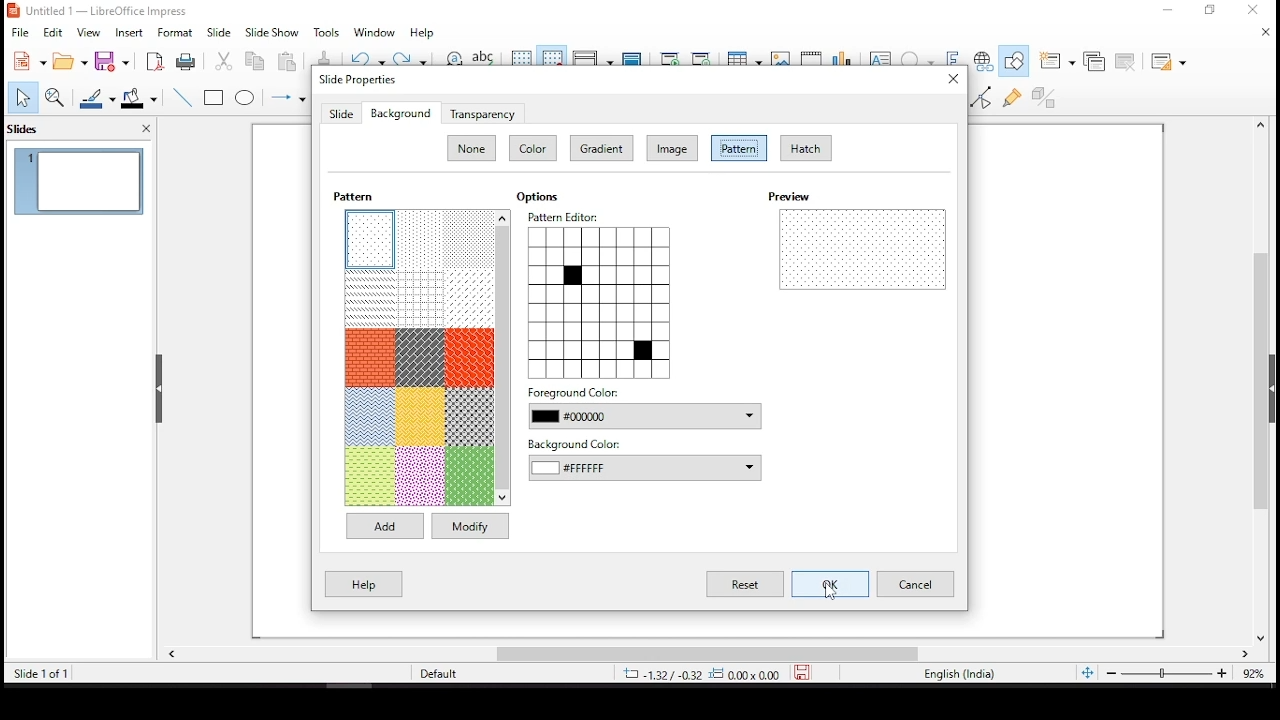 This screenshot has height=720, width=1280. What do you see at coordinates (186, 63) in the screenshot?
I see `print` at bounding box center [186, 63].